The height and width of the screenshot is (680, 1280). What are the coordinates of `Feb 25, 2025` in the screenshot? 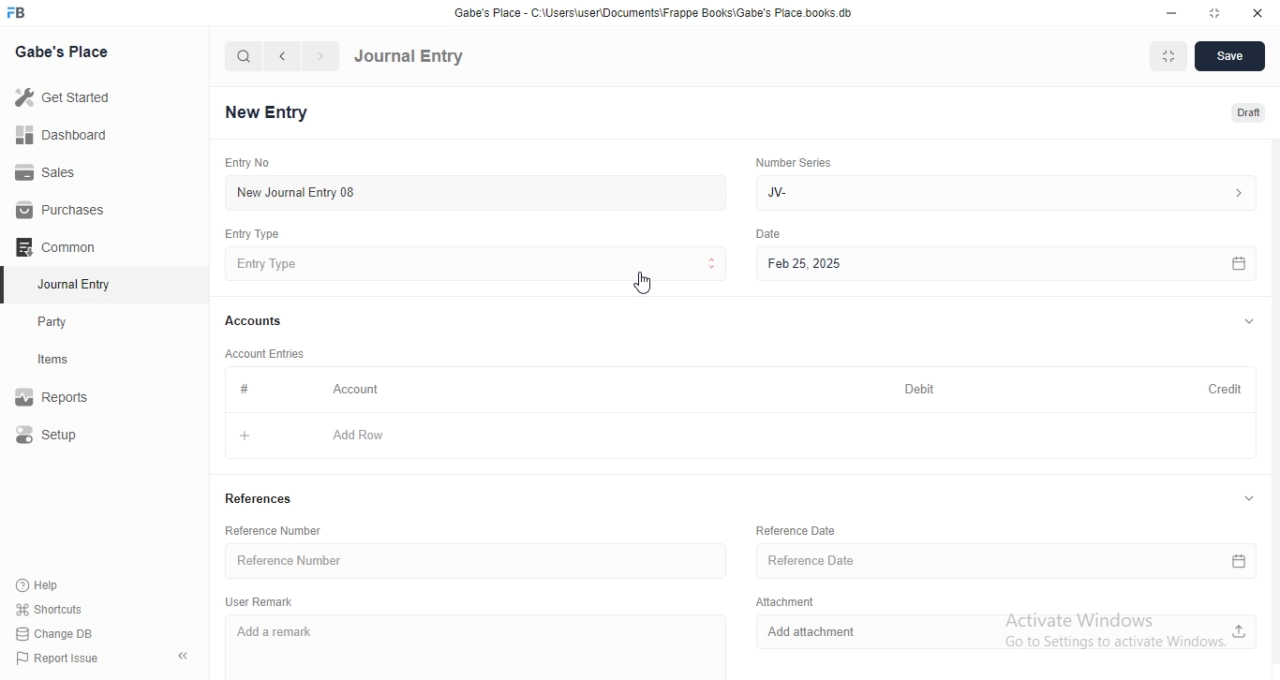 It's located at (1003, 263).